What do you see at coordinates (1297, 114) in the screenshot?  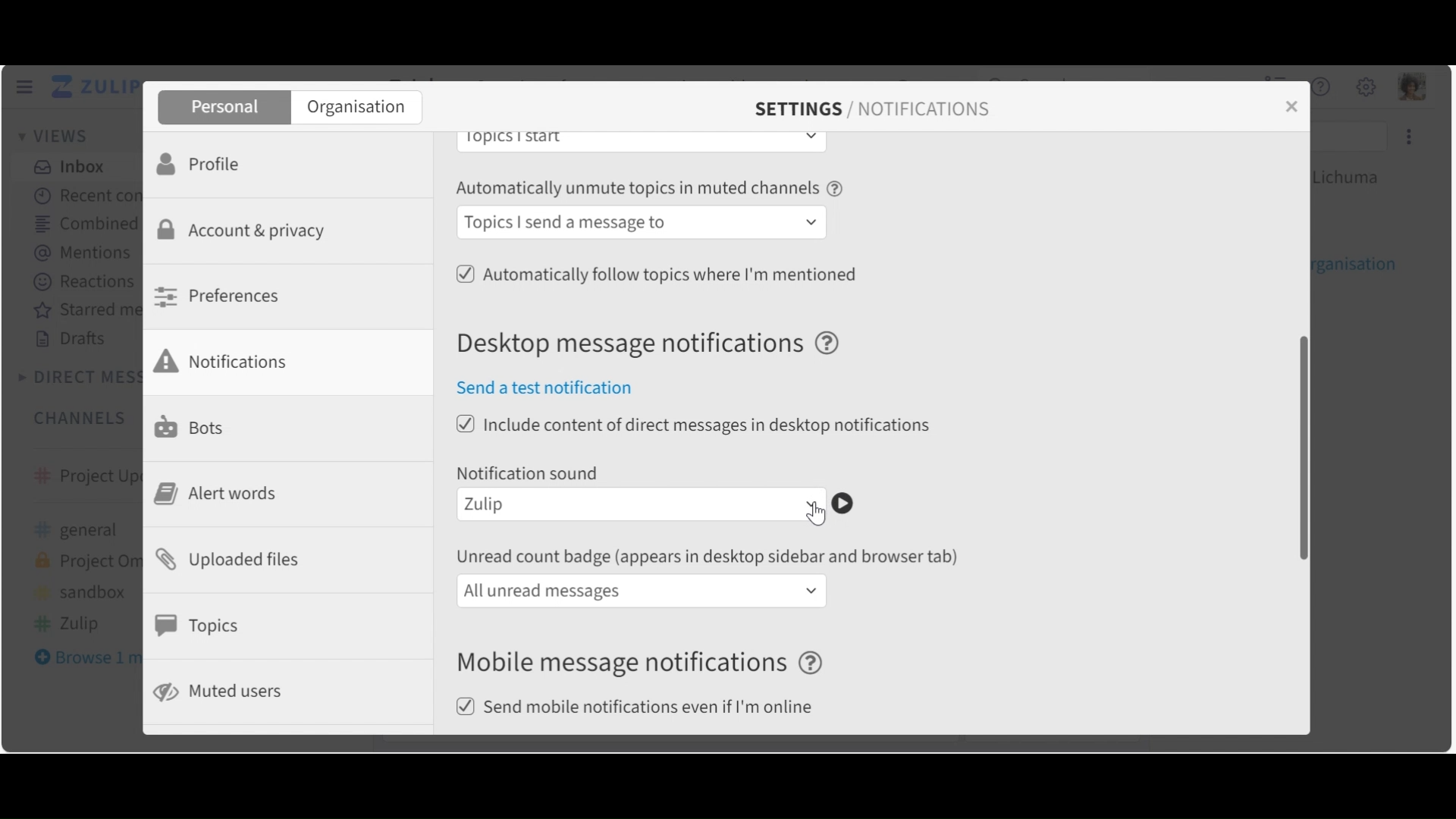 I see `close` at bounding box center [1297, 114].